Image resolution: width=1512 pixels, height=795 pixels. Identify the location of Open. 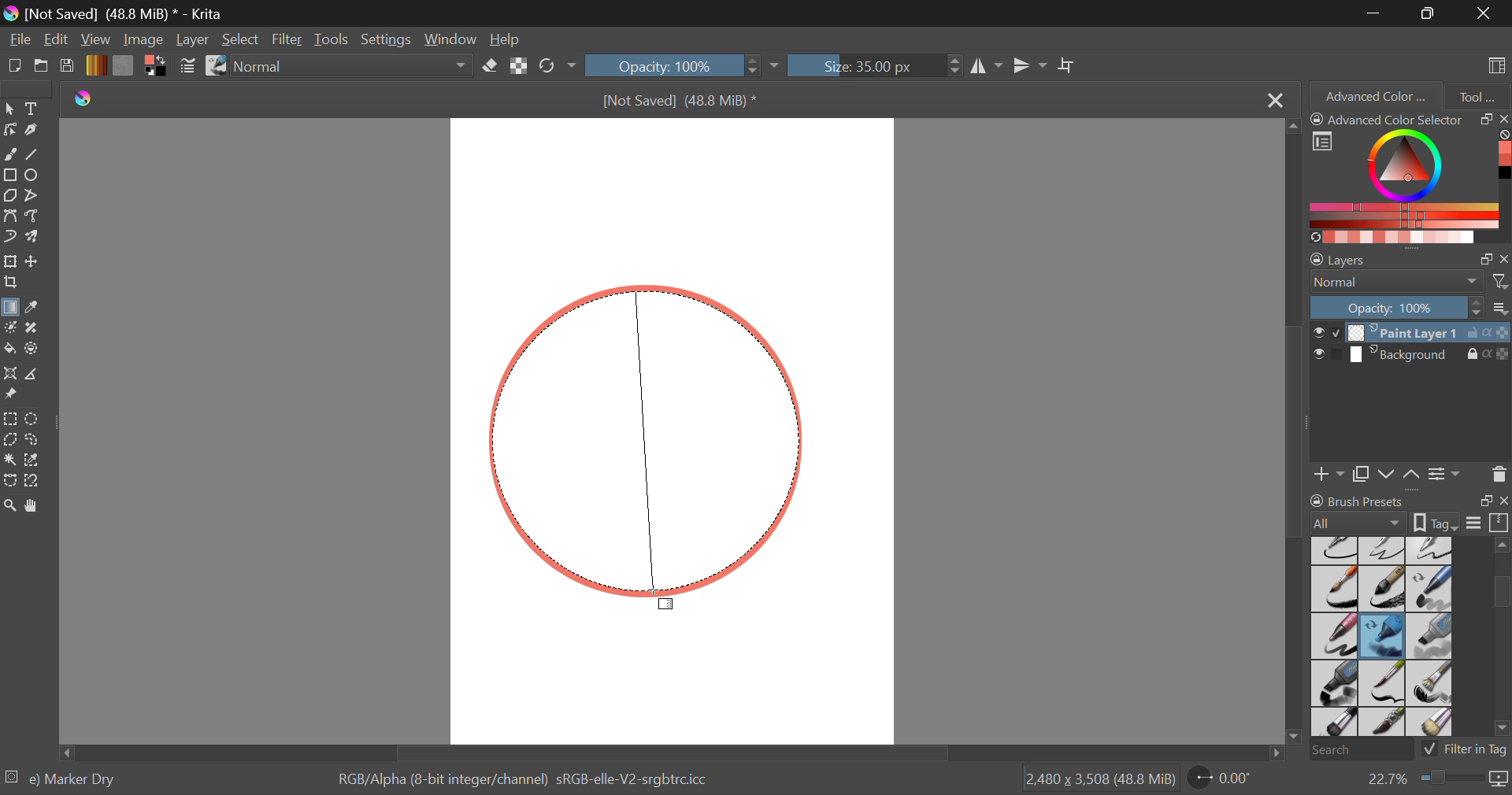
(43, 68).